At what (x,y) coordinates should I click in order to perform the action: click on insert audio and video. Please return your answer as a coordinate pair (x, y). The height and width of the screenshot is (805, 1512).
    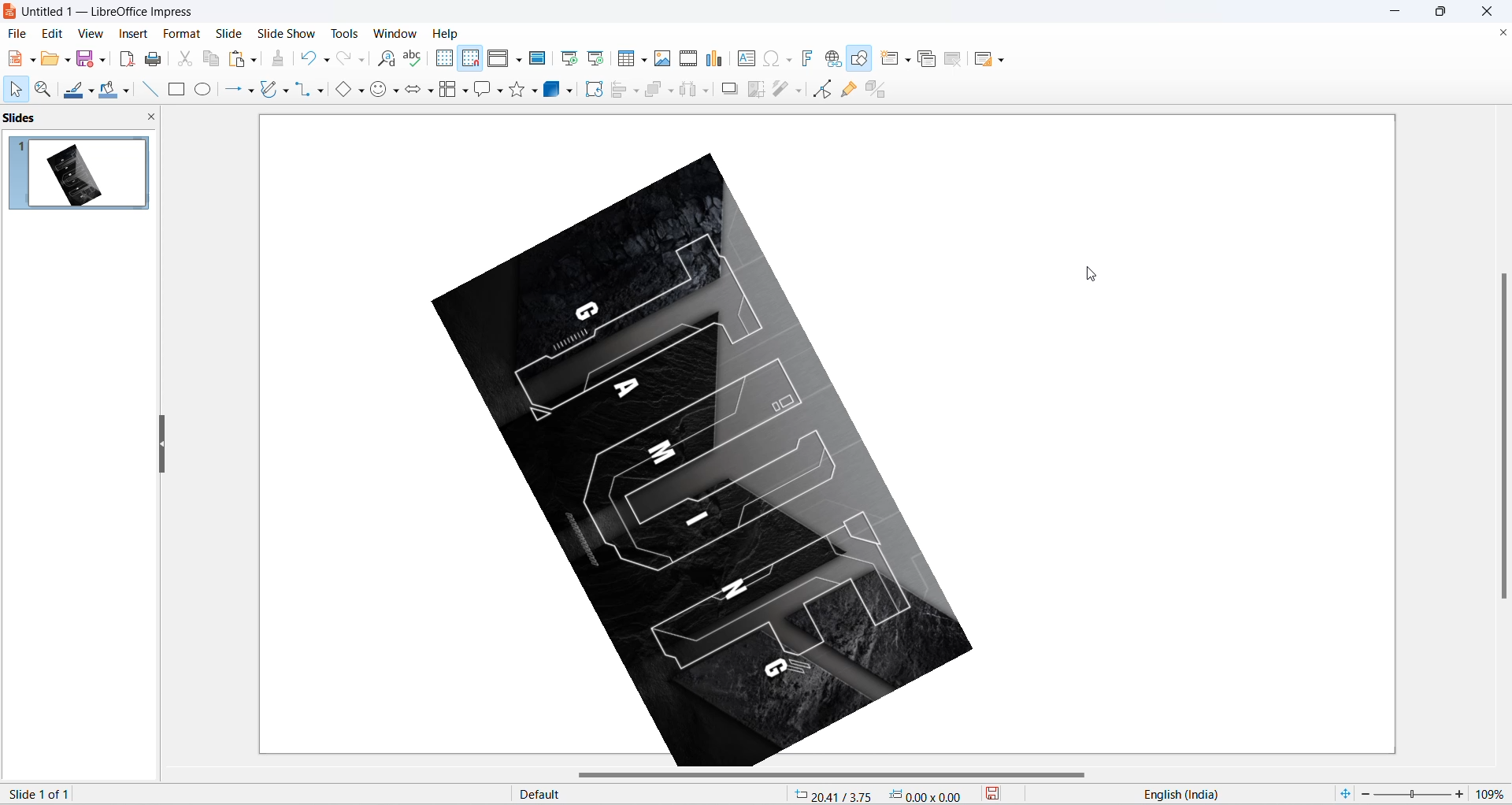
    Looking at the image, I should click on (687, 58).